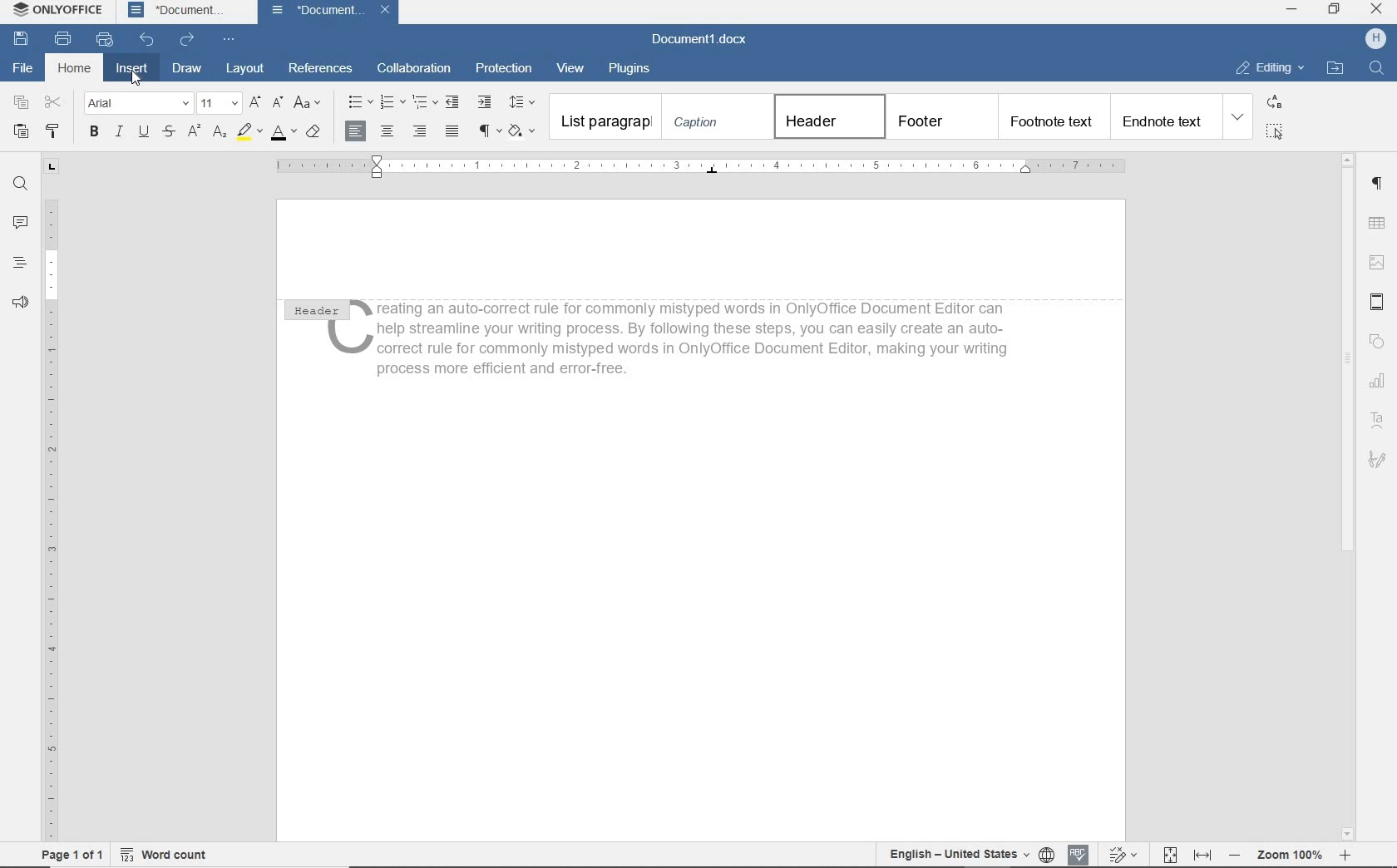 The width and height of the screenshot is (1397, 868). Describe the element at coordinates (1079, 853) in the screenshot. I see `SPELL CHECKING` at that location.